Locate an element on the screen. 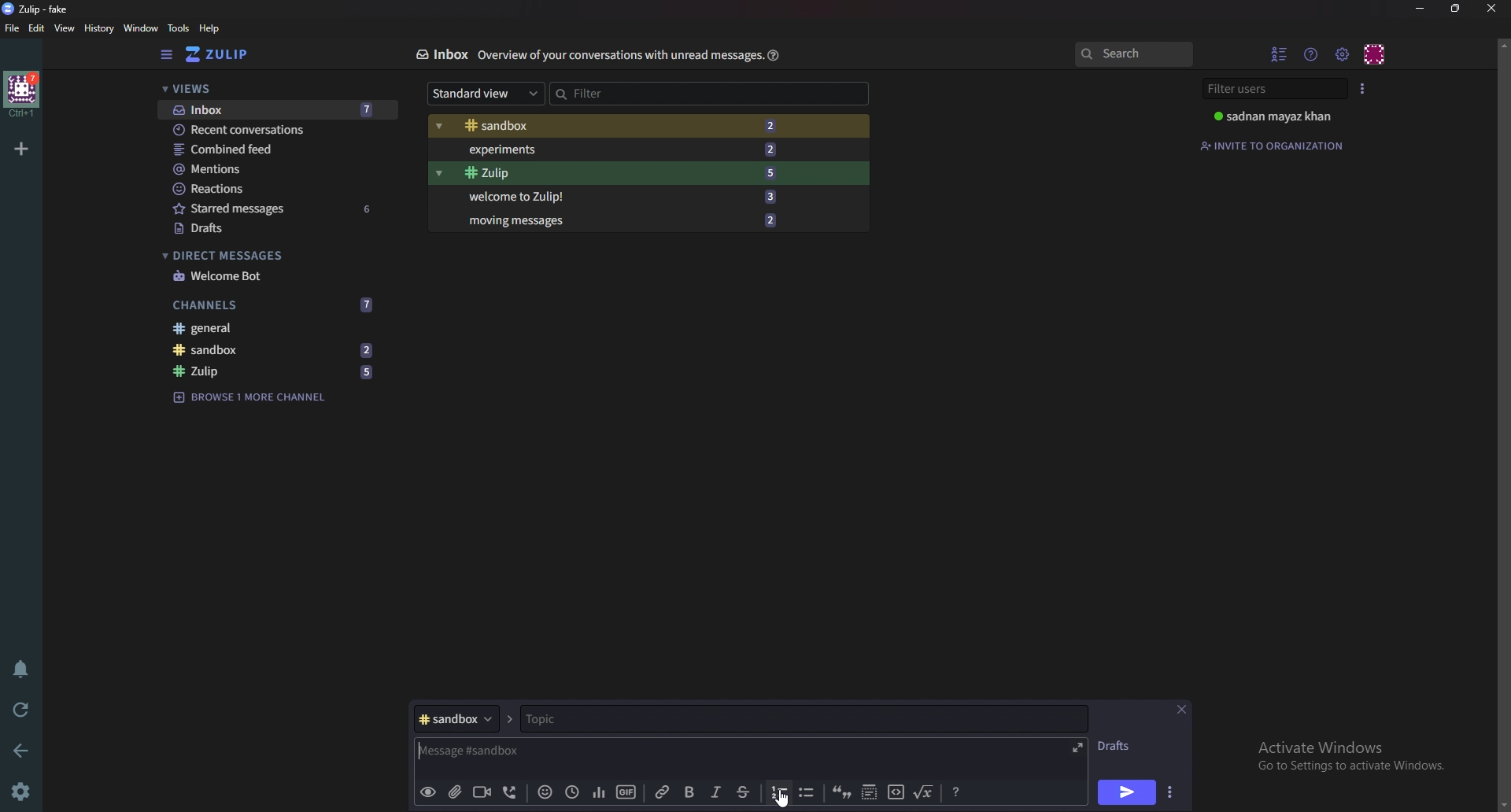 The width and height of the screenshot is (1511, 812). Compose message is located at coordinates (519, 752).